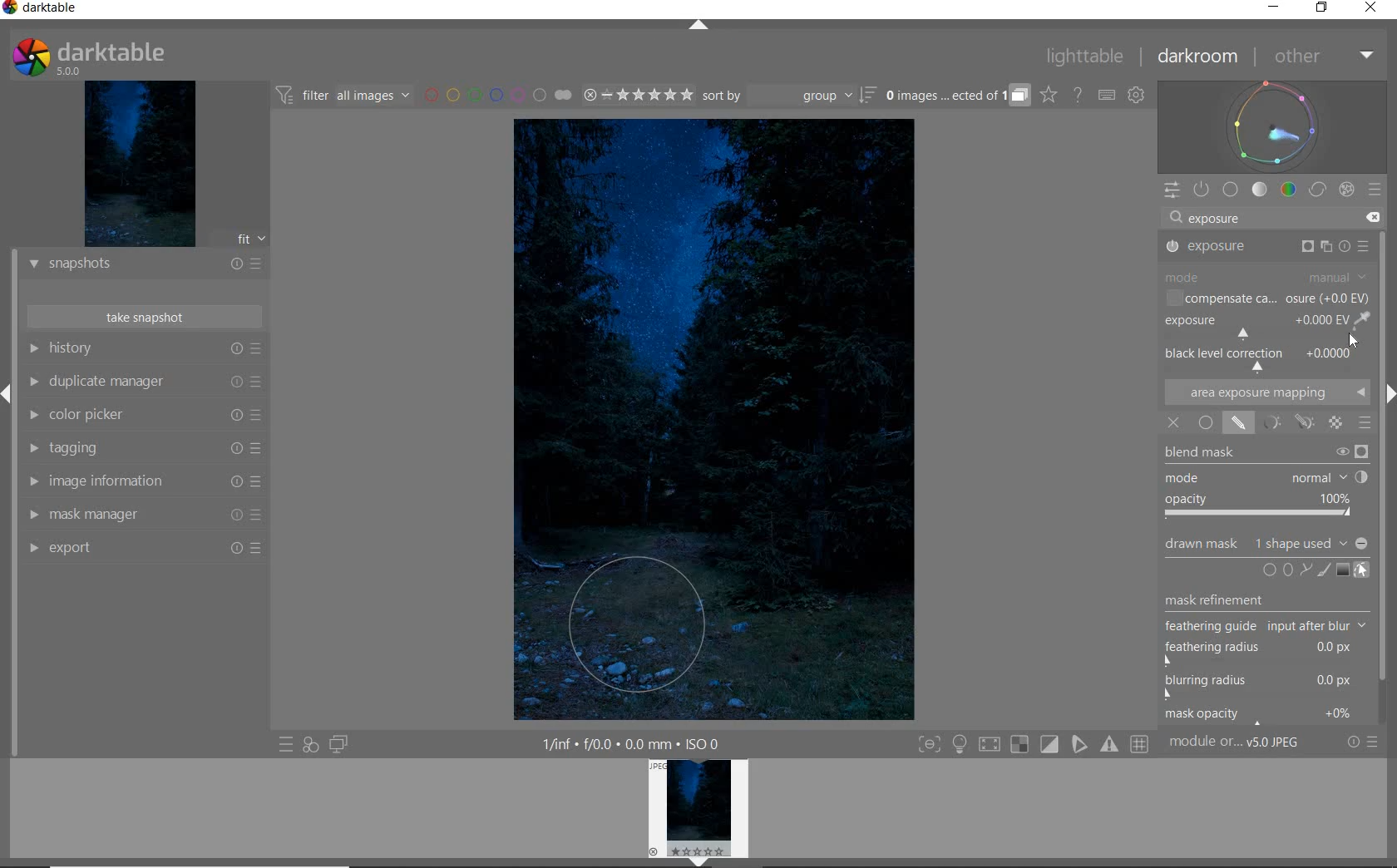 The width and height of the screenshot is (1397, 868). I want to click on COMPENSATE CA...OSURE, so click(1266, 298).